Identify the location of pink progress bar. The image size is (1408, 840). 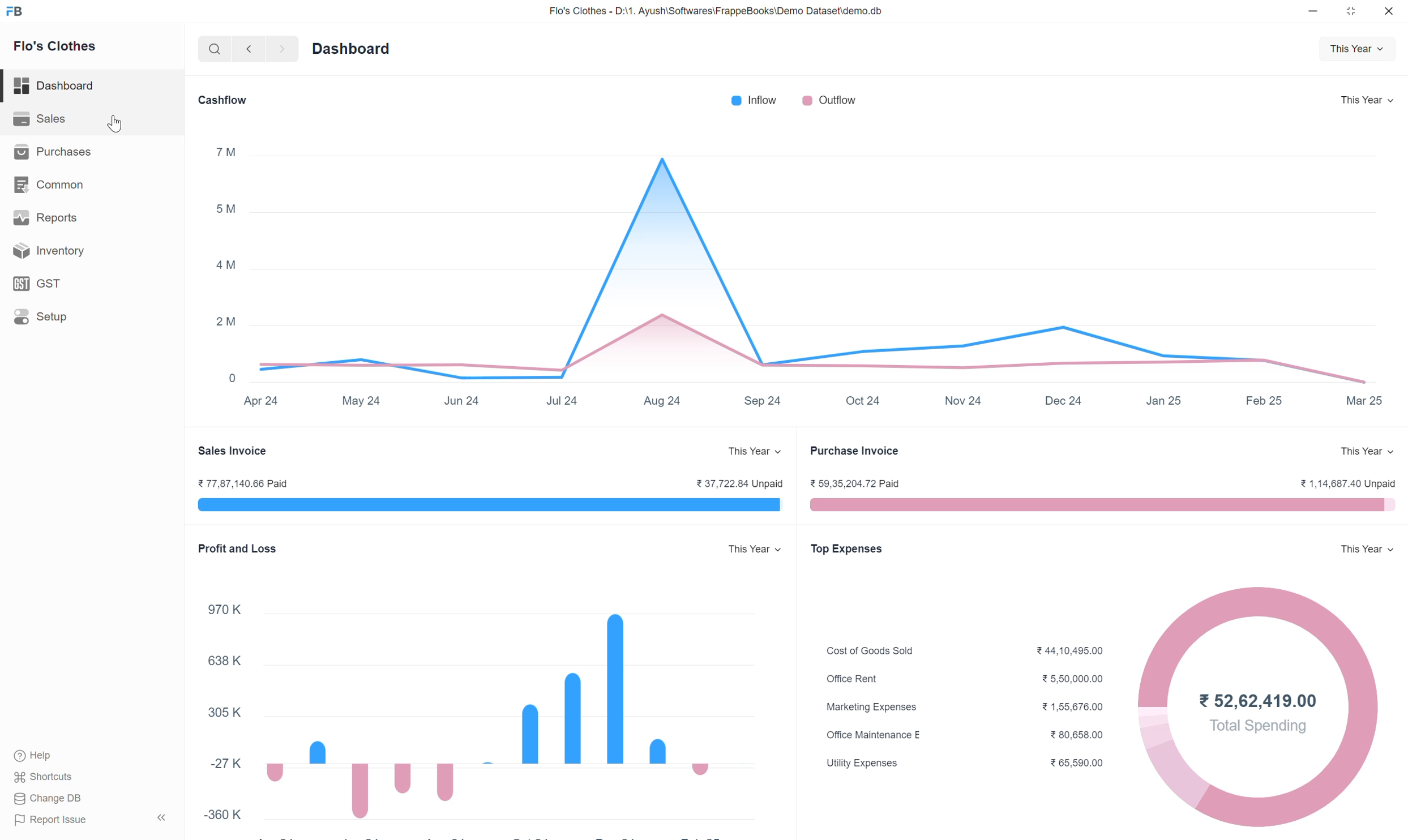
(1099, 504).